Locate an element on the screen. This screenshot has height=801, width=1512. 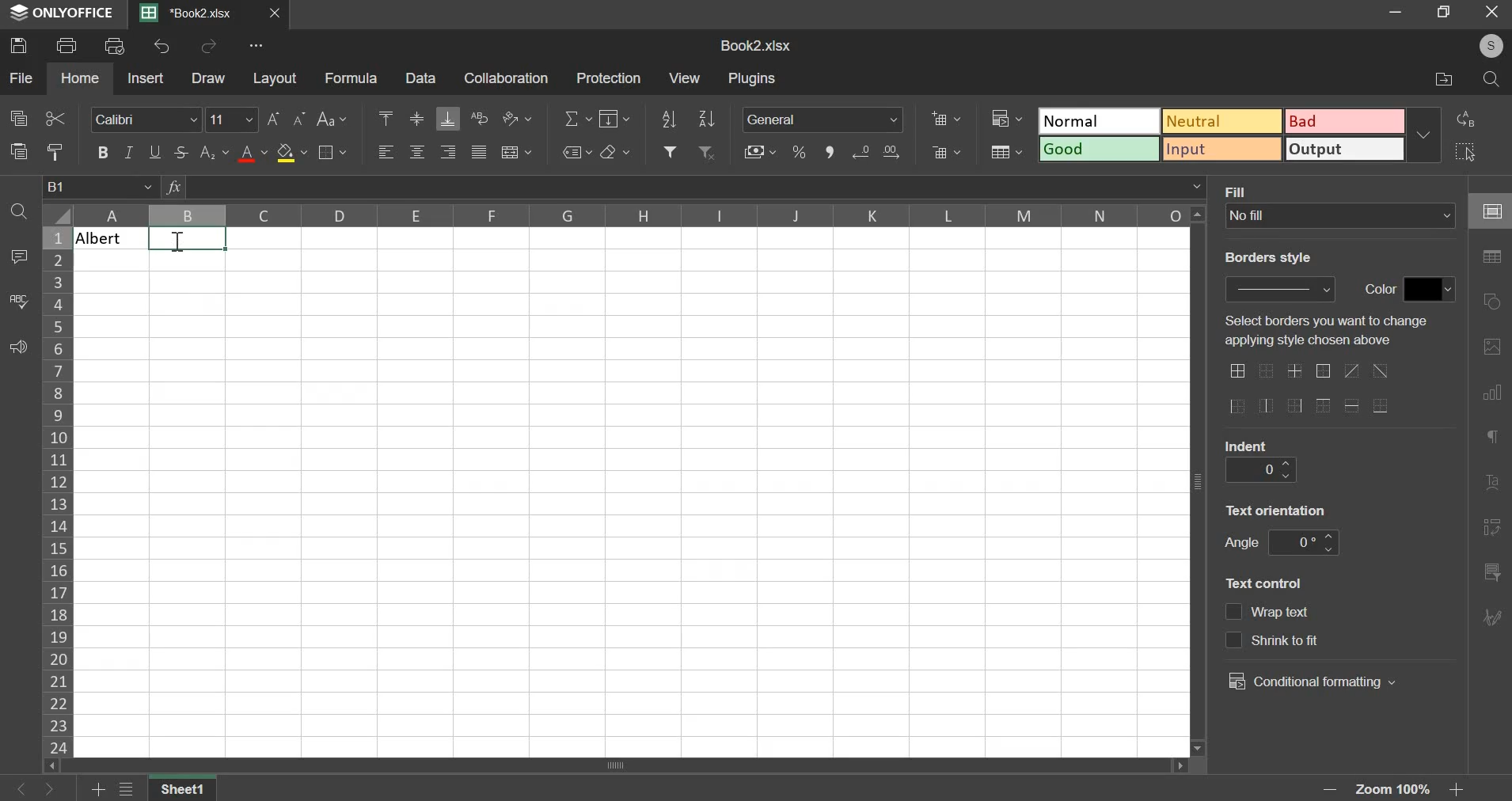
scroll bar is located at coordinates (620, 768).